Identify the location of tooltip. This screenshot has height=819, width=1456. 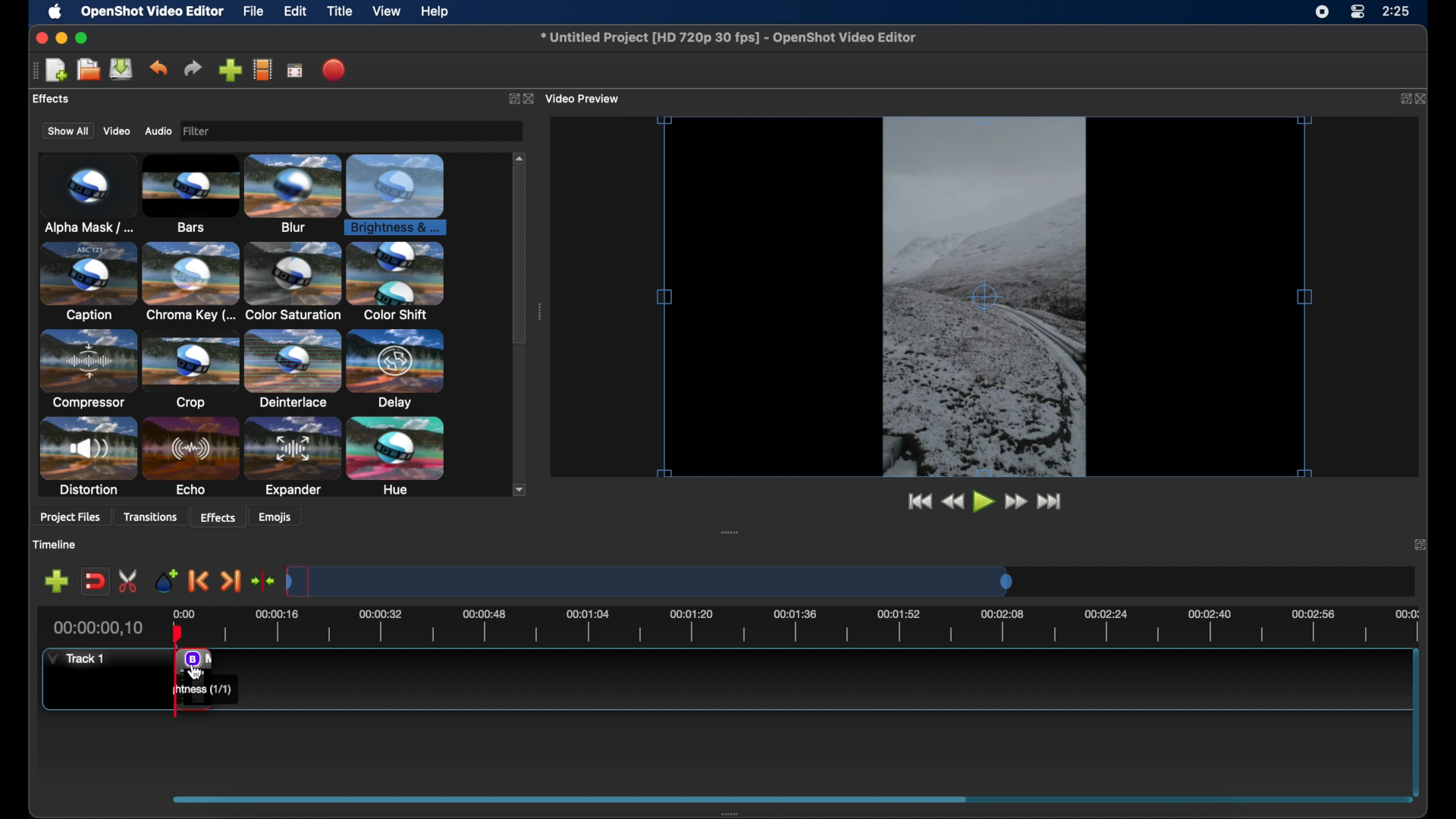
(204, 690).